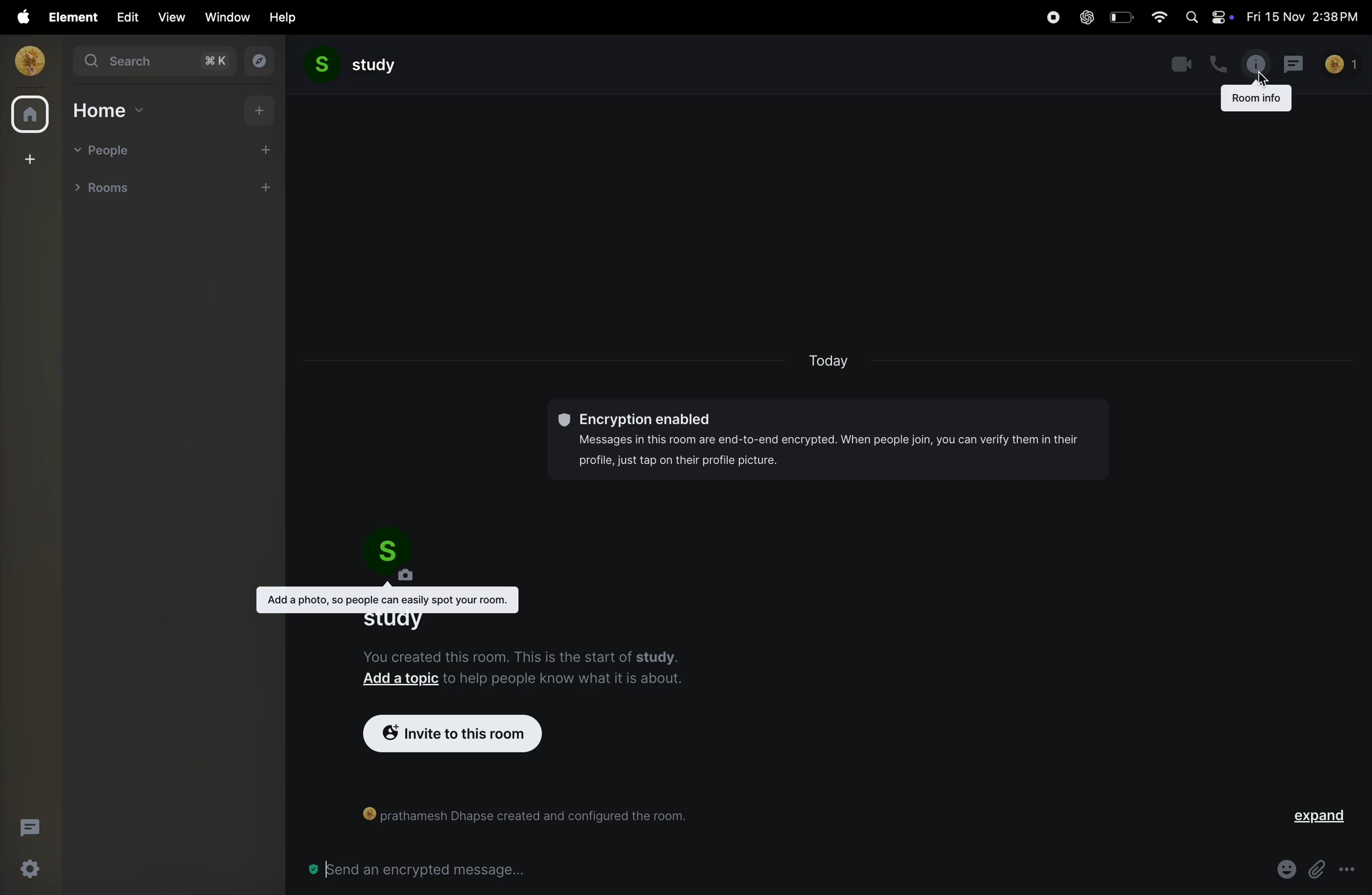 The width and height of the screenshot is (1372, 895). I want to click on threads , so click(29, 826).